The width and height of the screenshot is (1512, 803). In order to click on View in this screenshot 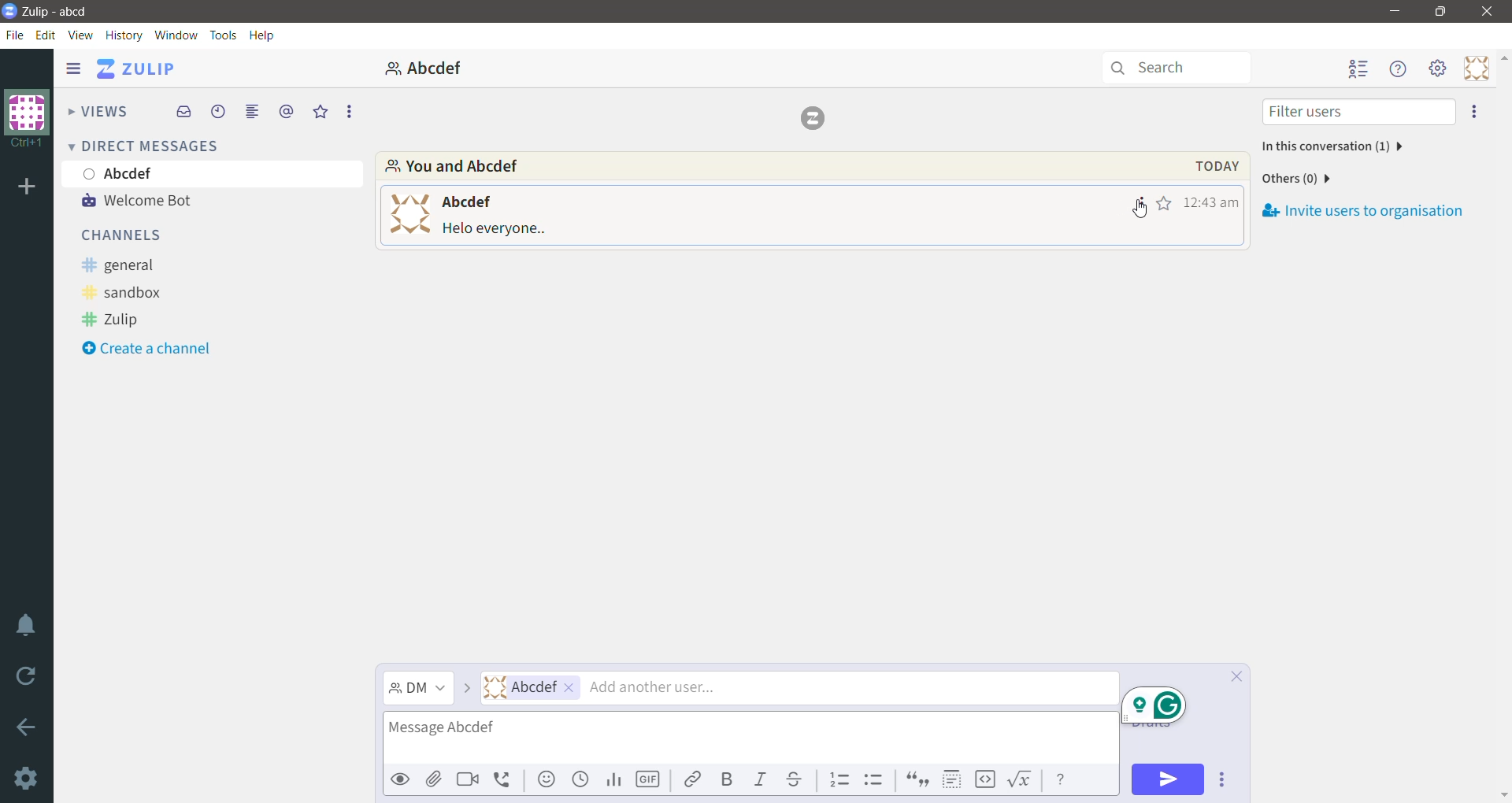, I will do `click(81, 35)`.